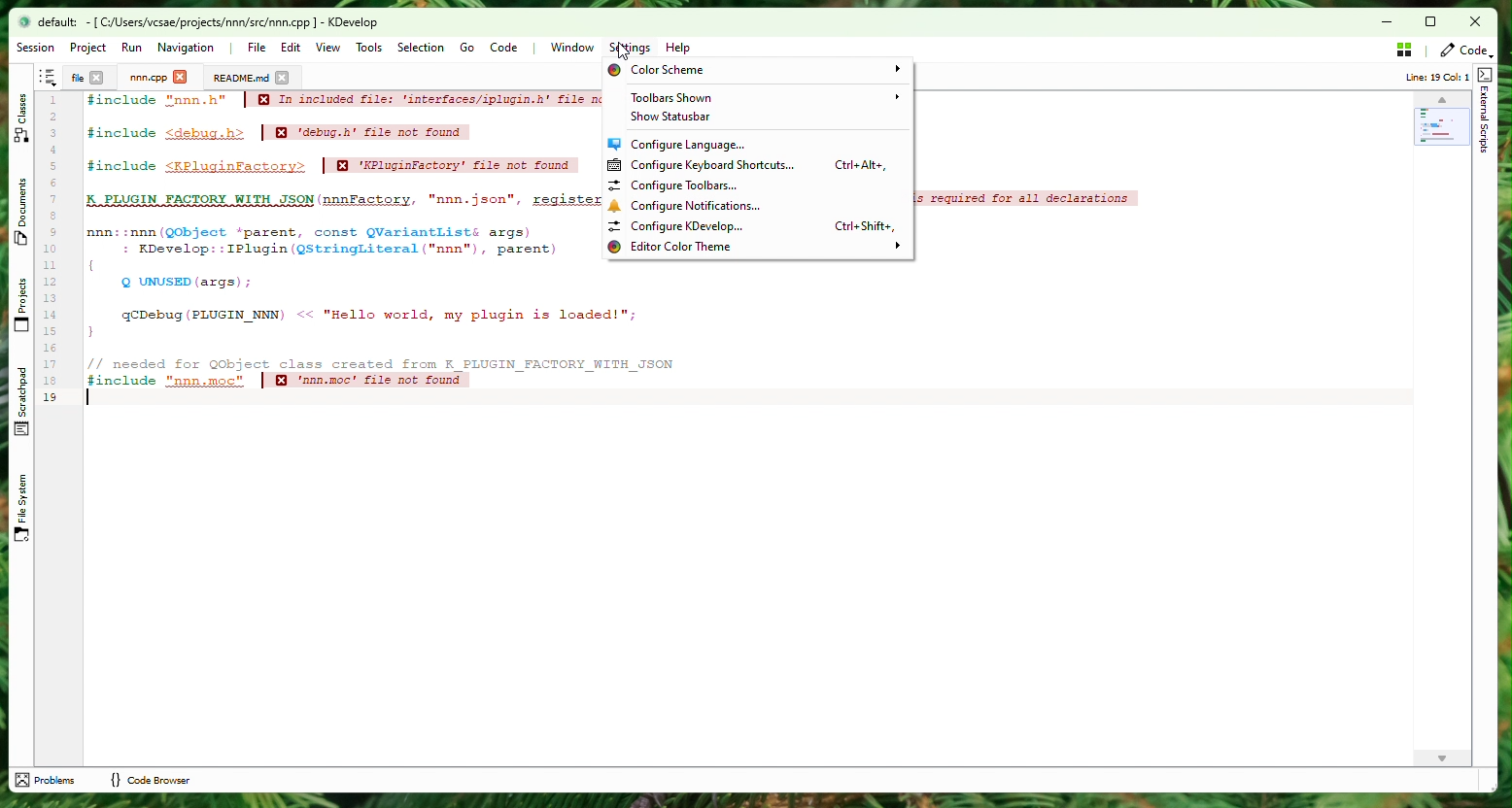 Image resolution: width=1512 pixels, height=808 pixels. Describe the element at coordinates (51, 348) in the screenshot. I see `16` at that location.